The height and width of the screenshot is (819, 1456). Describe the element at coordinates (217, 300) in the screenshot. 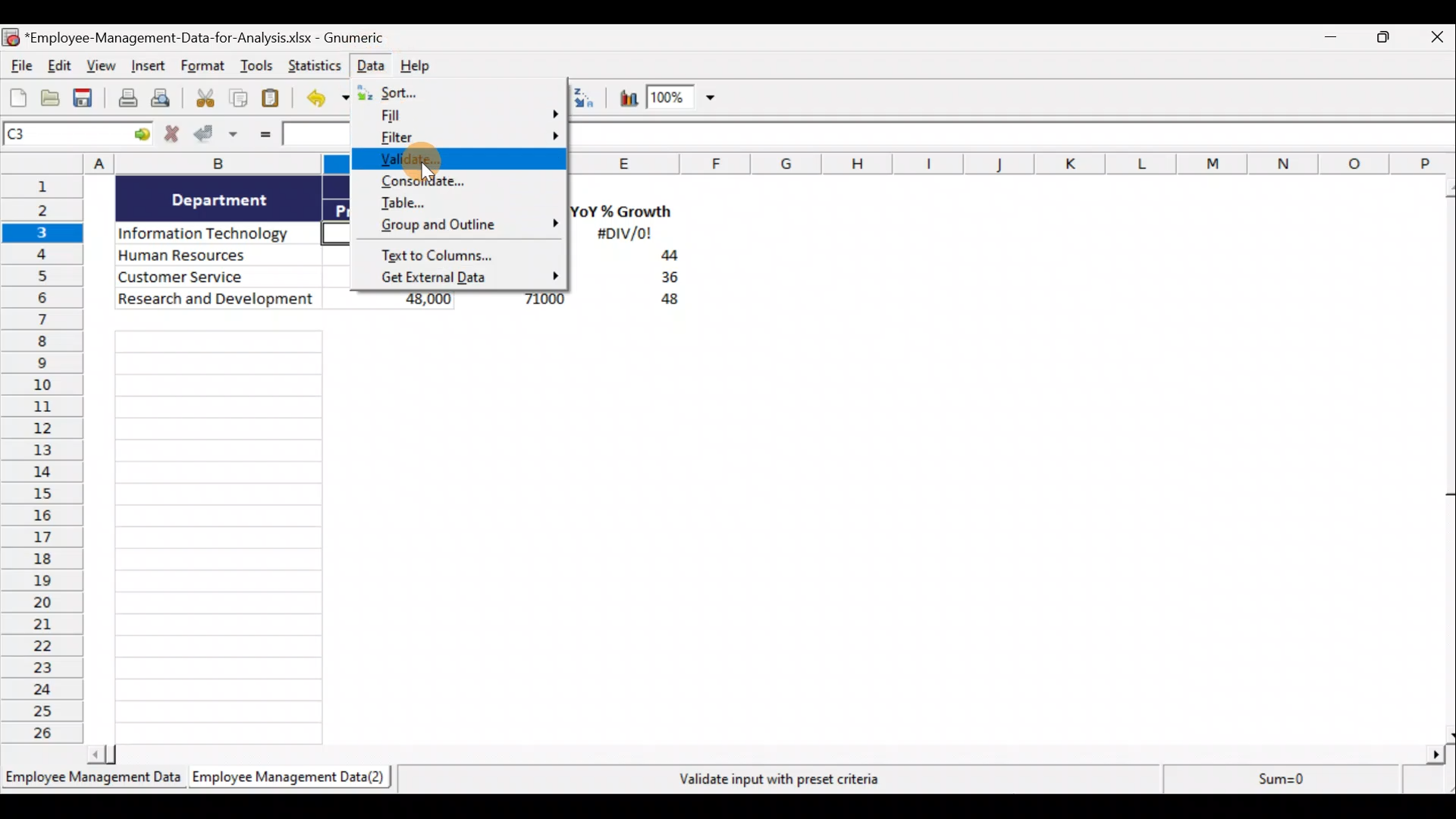

I see `Research and development` at that location.